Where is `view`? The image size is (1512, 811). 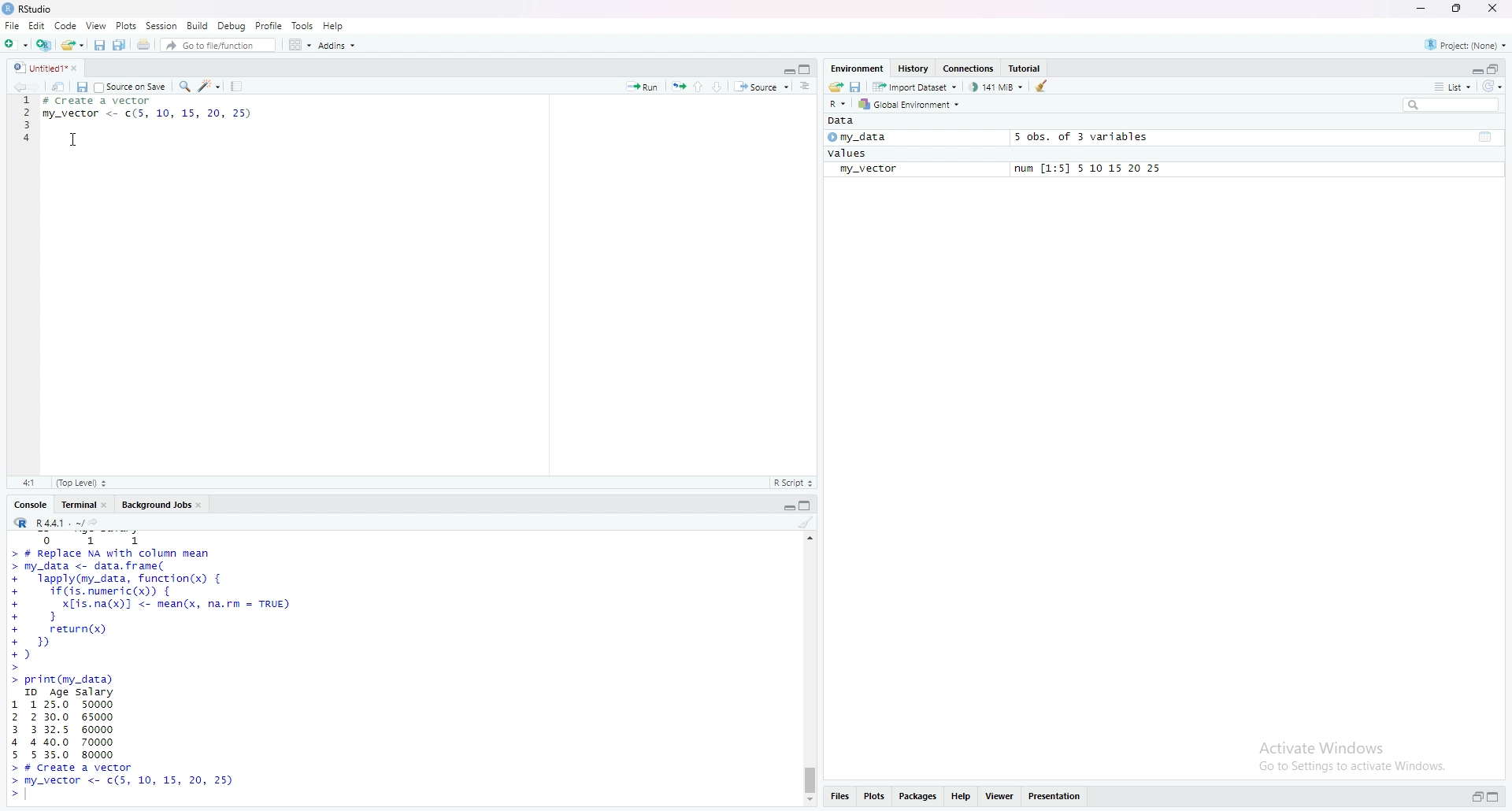 view is located at coordinates (97, 26).